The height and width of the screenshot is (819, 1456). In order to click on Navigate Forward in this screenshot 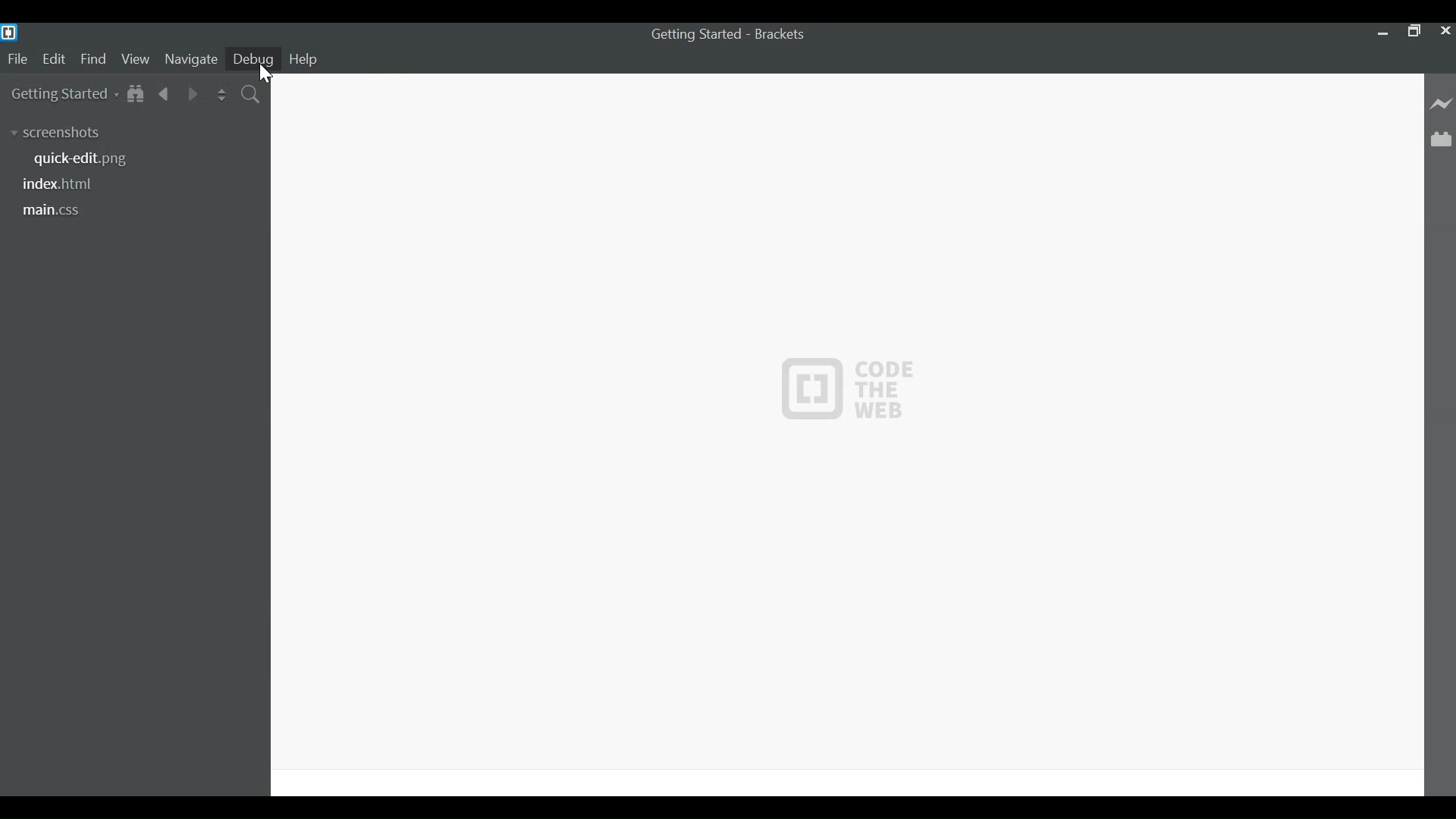, I will do `click(193, 94)`.